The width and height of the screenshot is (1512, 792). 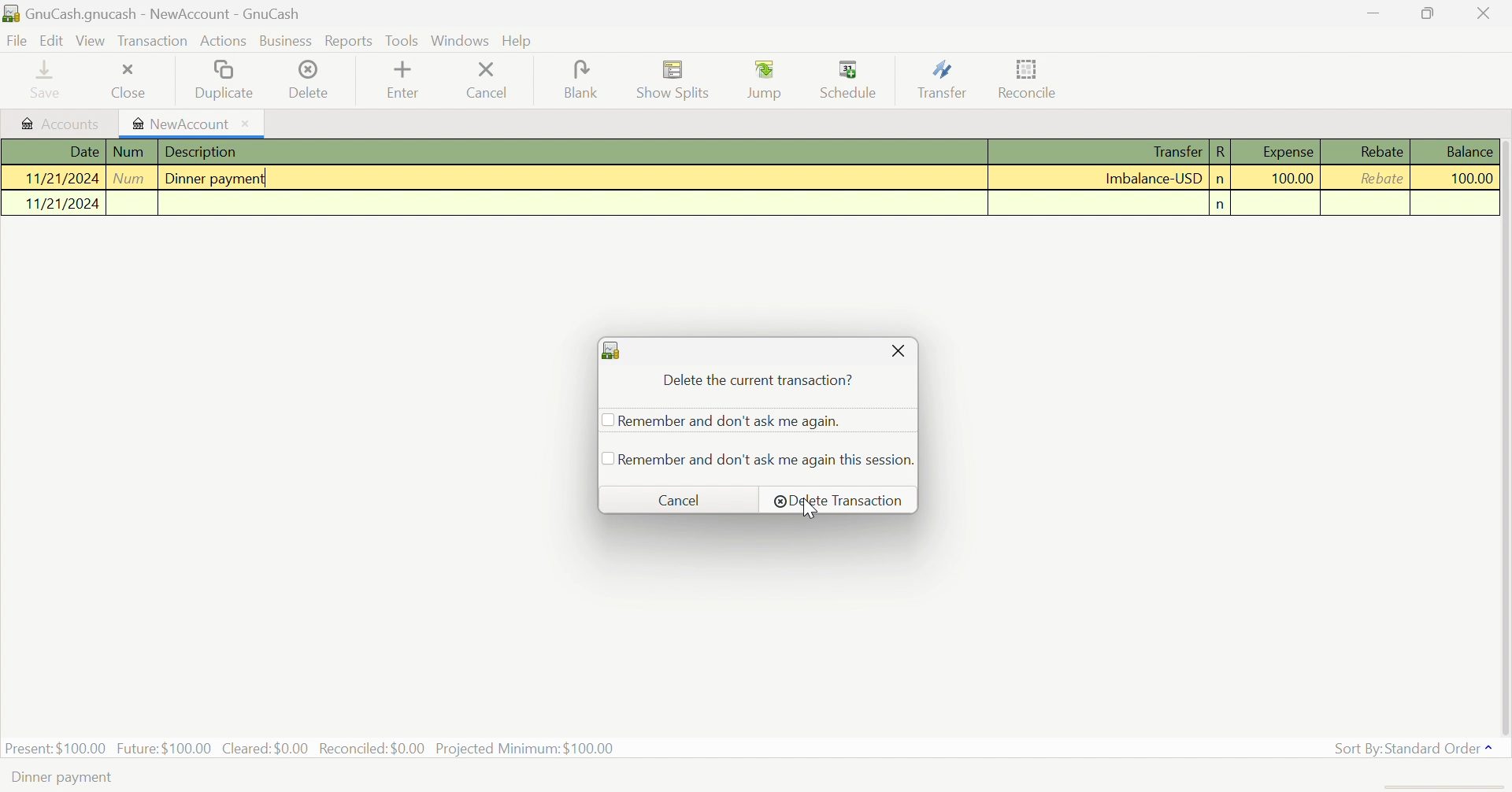 I want to click on scroll bar, so click(x=1503, y=438).